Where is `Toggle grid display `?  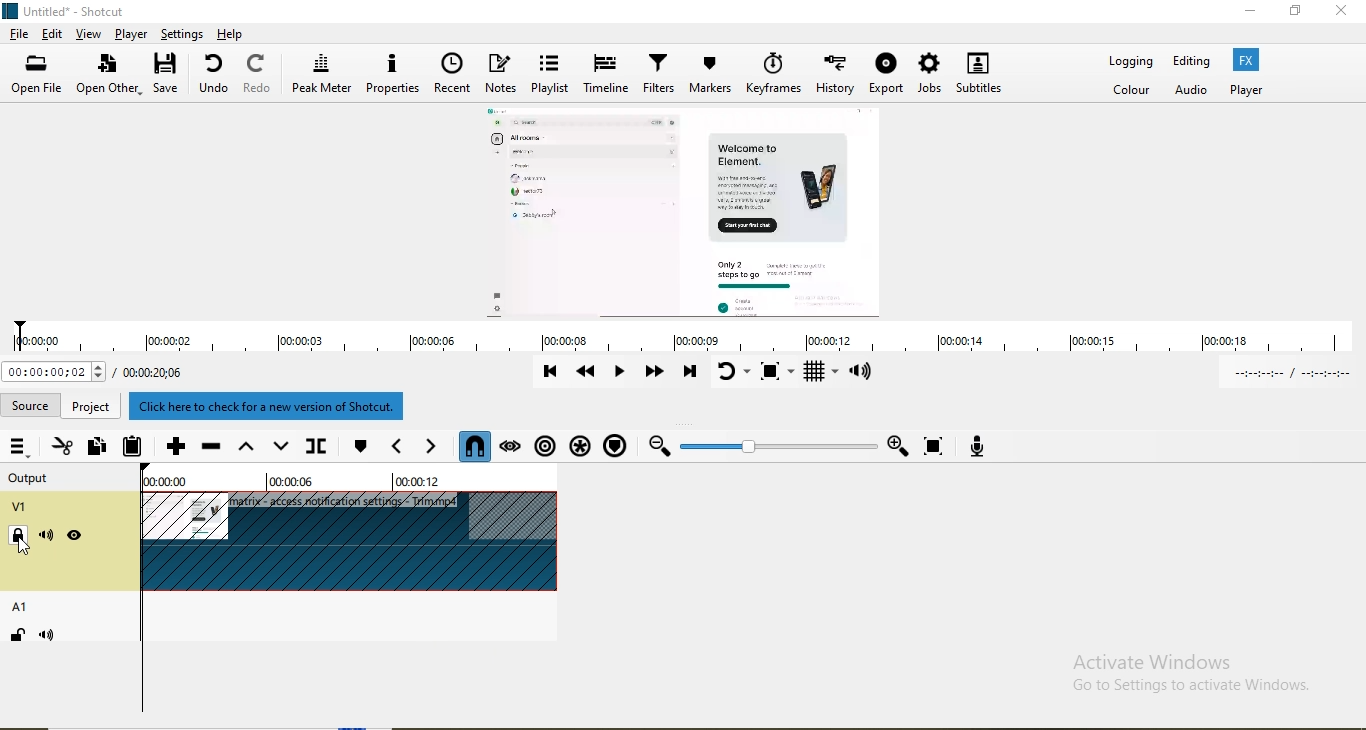
Toggle grid display  is located at coordinates (822, 374).